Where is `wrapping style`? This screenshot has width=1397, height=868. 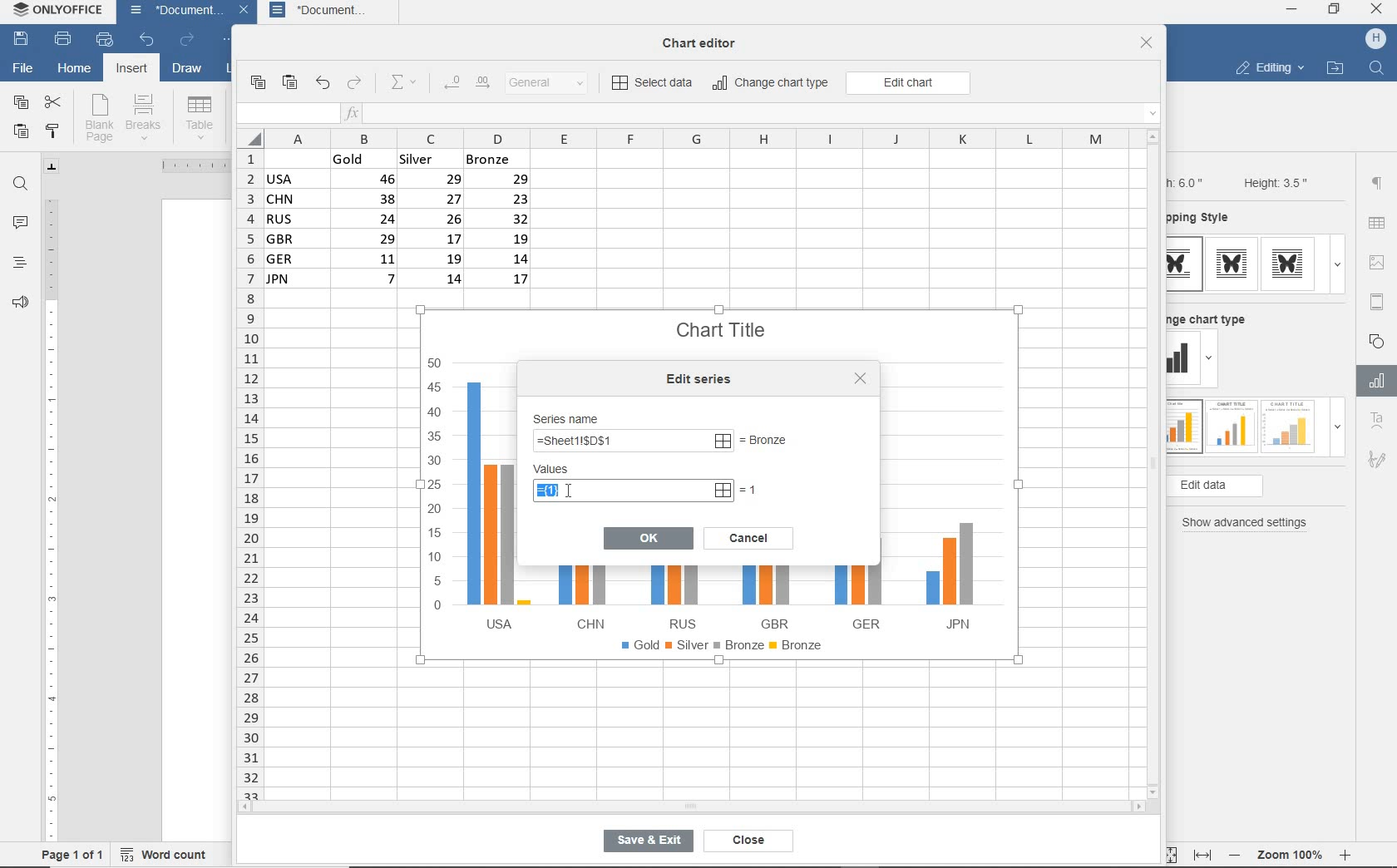 wrapping style is located at coordinates (1205, 219).